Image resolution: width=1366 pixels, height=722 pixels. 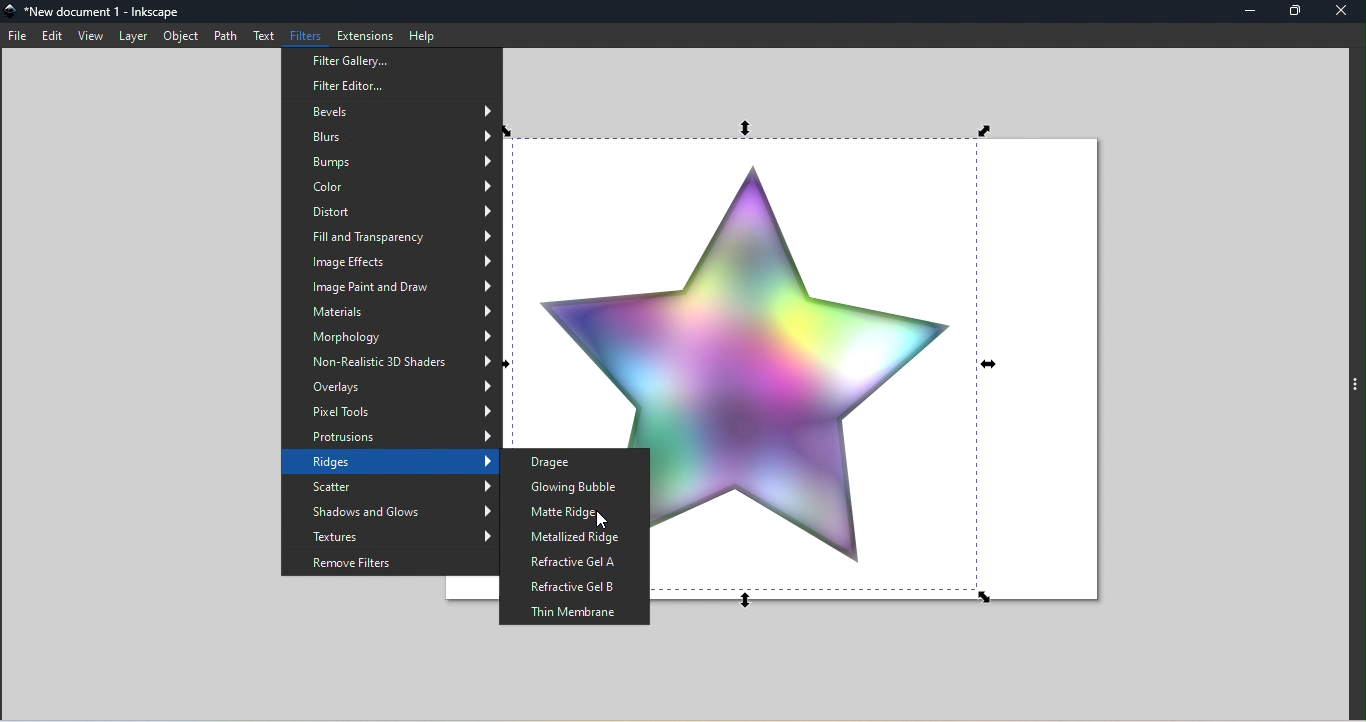 What do you see at coordinates (17, 37) in the screenshot?
I see `File` at bounding box center [17, 37].